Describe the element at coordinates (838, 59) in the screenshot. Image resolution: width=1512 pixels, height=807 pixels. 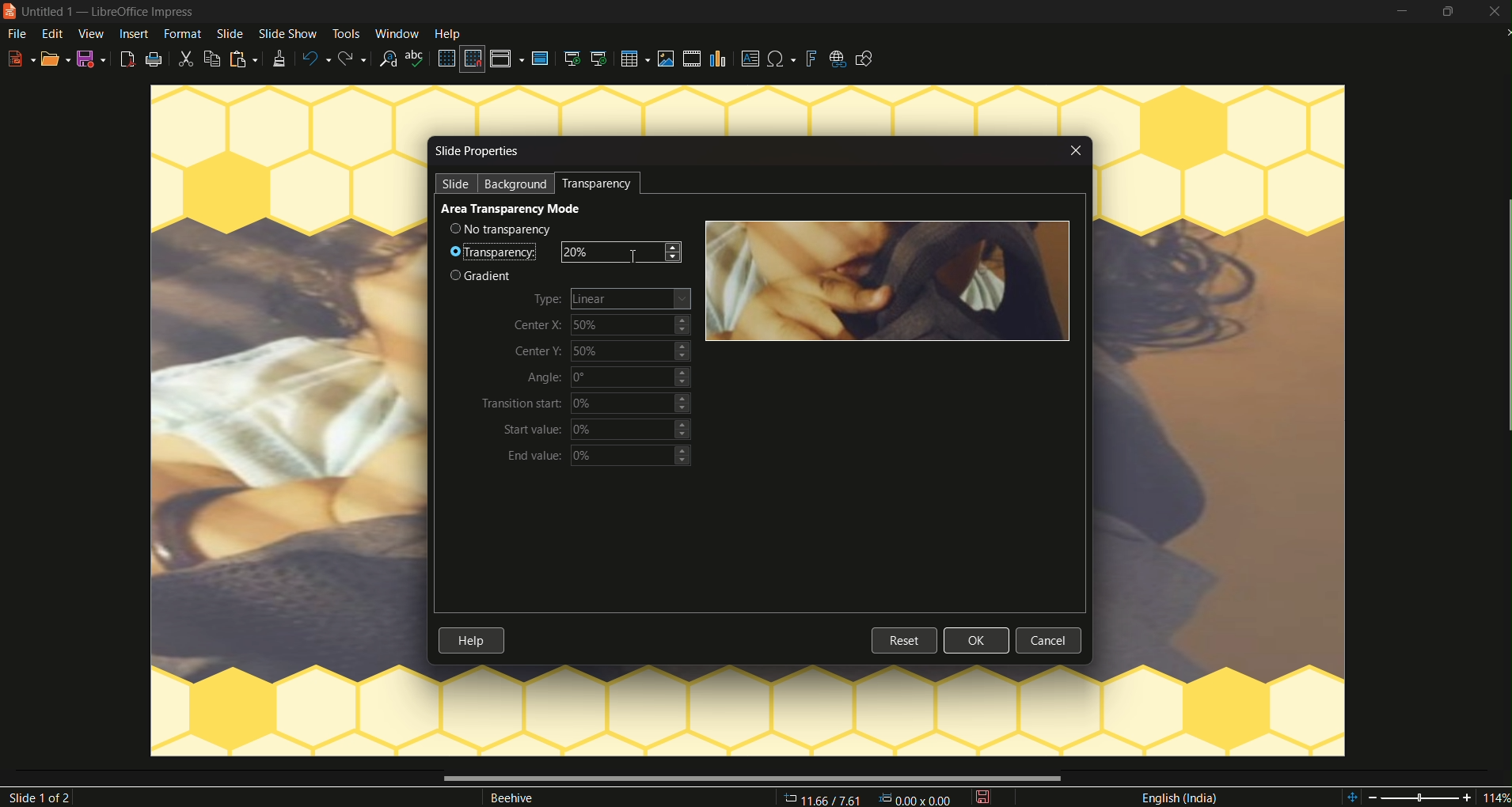
I see `insert hyperlink` at that location.